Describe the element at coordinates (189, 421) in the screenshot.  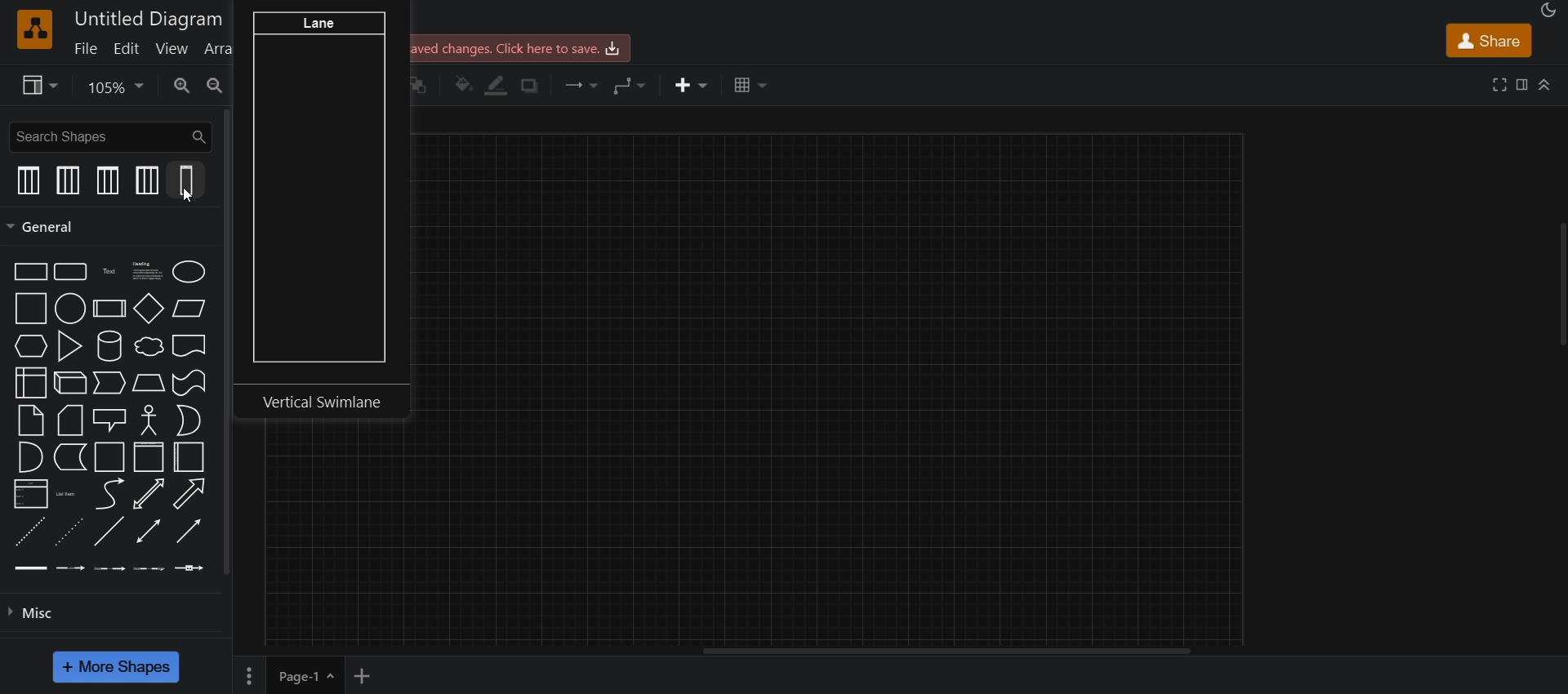
I see `or` at that location.